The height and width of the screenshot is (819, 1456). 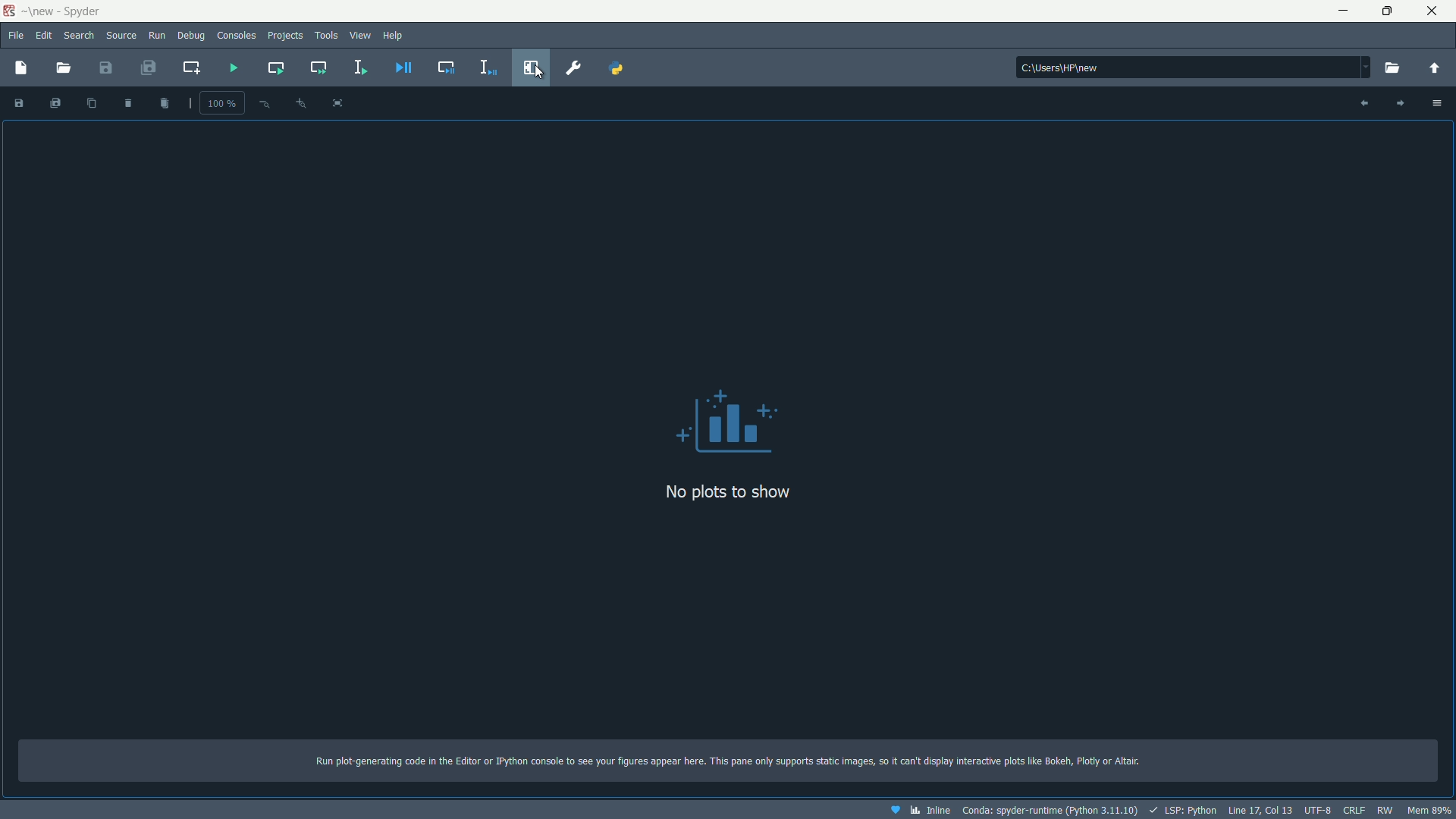 What do you see at coordinates (1363, 103) in the screenshot?
I see `previous plot` at bounding box center [1363, 103].